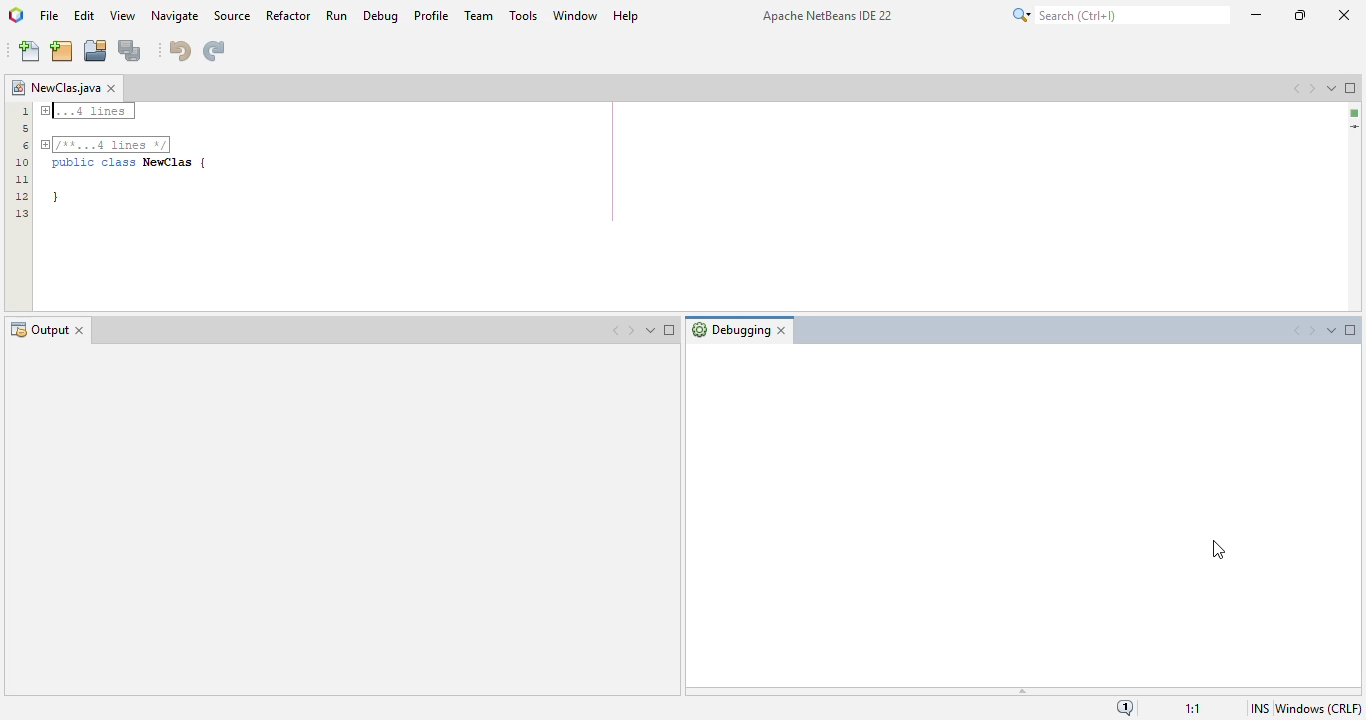  I want to click on Close, so click(786, 328).